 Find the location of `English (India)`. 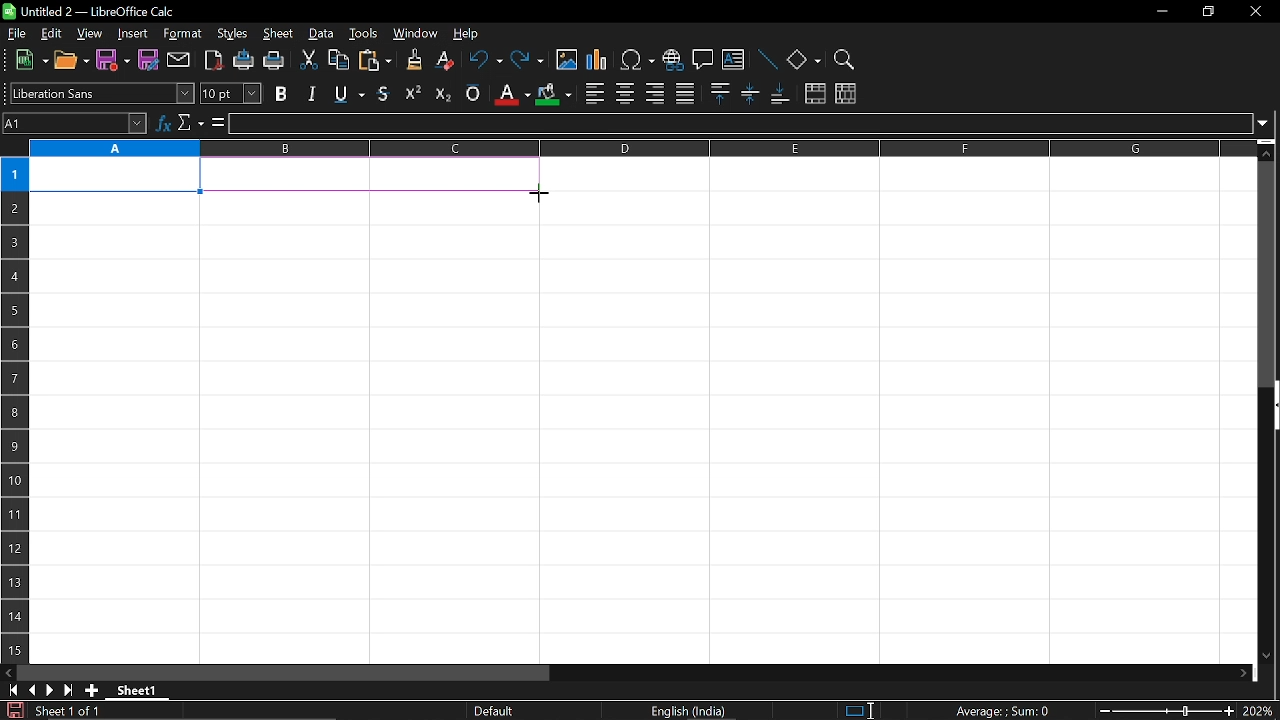

English (India) is located at coordinates (690, 711).